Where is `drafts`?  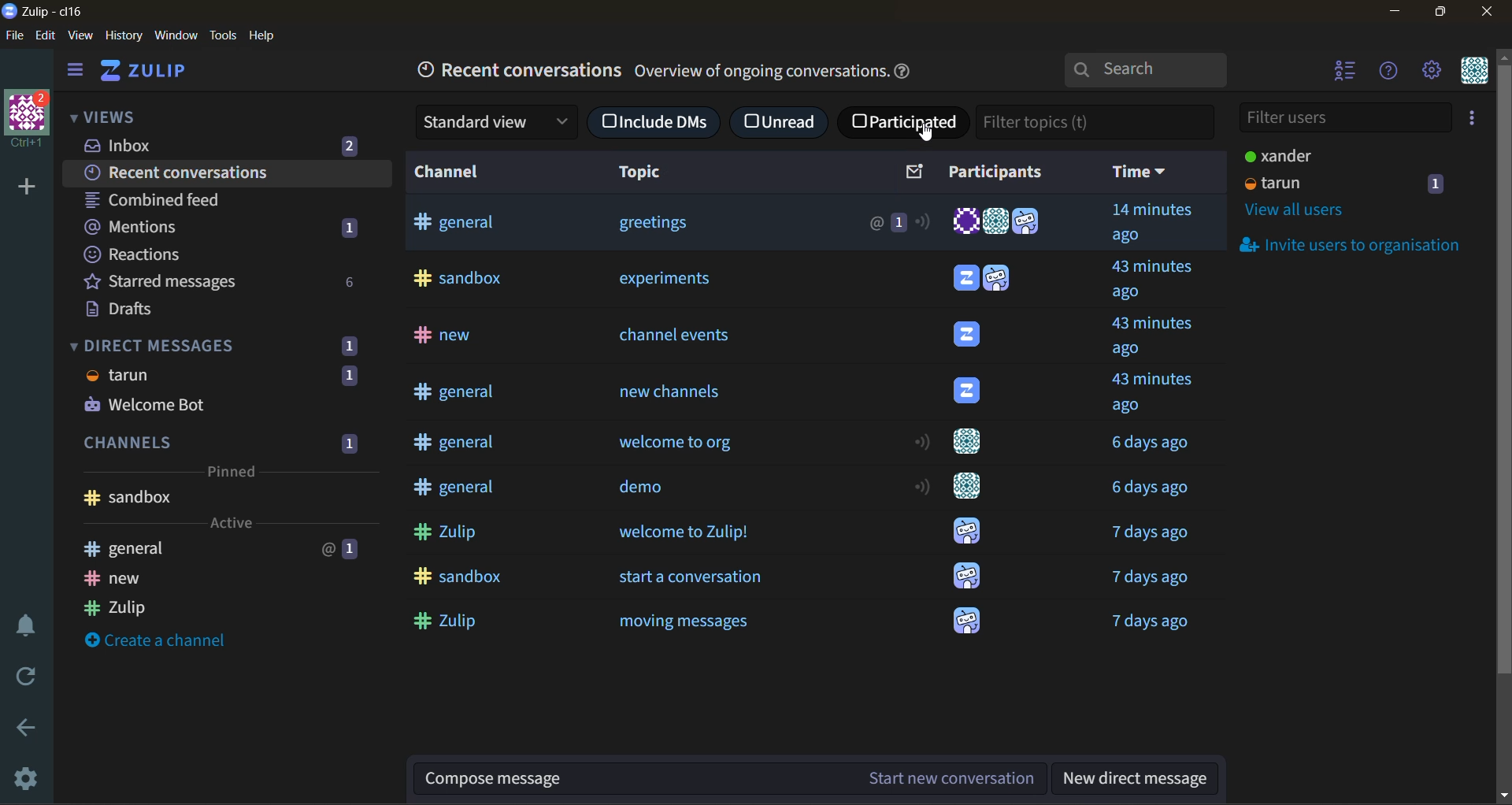
drafts is located at coordinates (132, 310).